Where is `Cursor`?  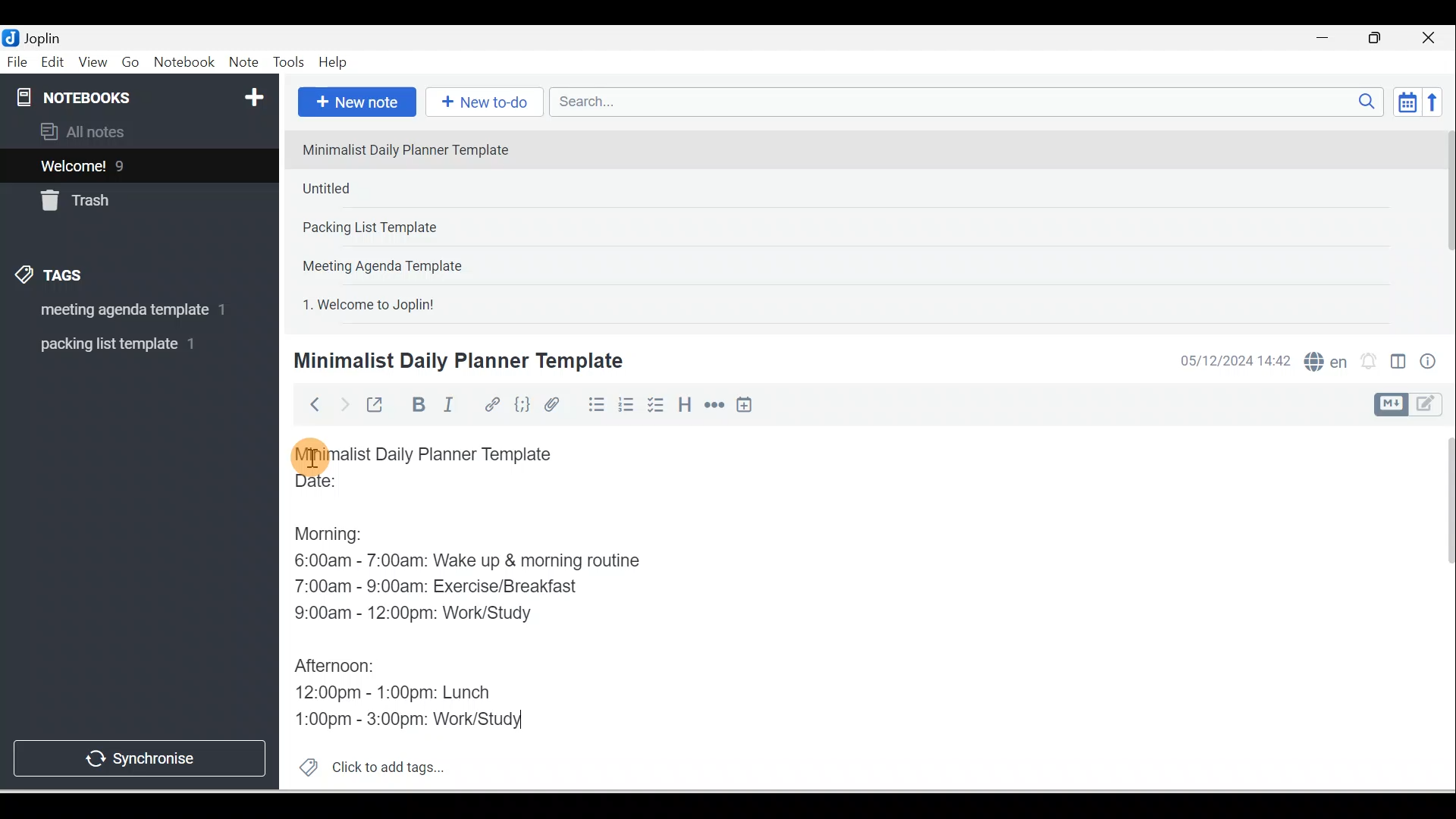
Cursor is located at coordinates (311, 455).